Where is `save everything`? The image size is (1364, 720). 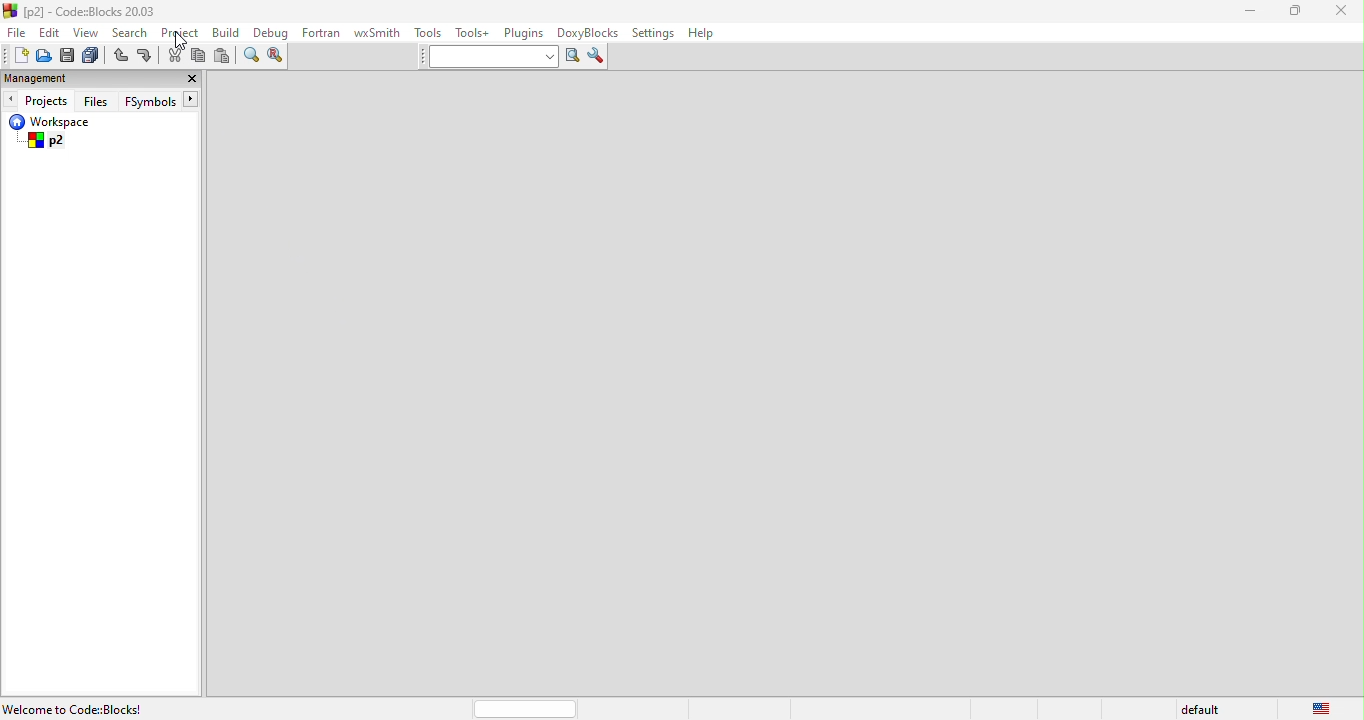
save everything is located at coordinates (92, 56).